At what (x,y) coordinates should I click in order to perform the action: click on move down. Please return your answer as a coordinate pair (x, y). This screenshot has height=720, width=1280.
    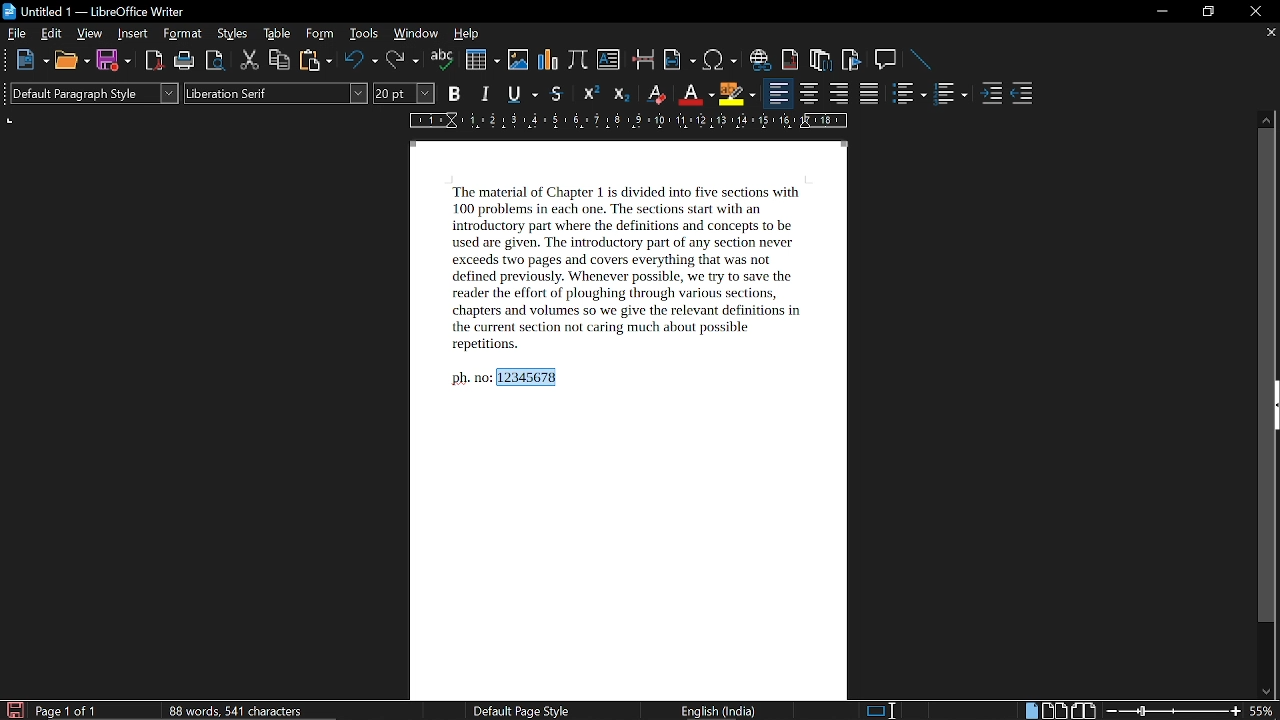
    Looking at the image, I should click on (1267, 690).